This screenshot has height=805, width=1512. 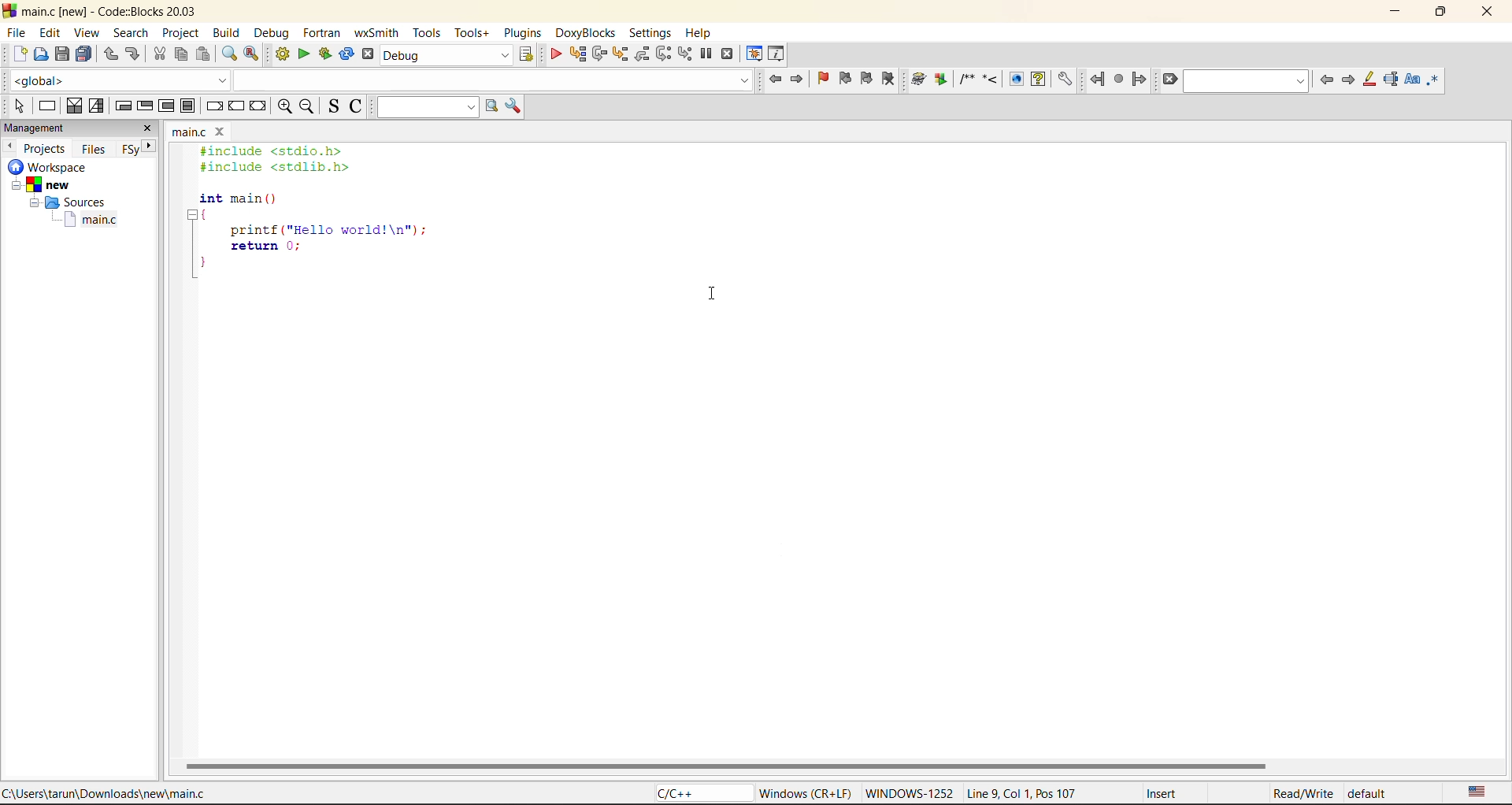 I want to click on find, so click(x=230, y=54).